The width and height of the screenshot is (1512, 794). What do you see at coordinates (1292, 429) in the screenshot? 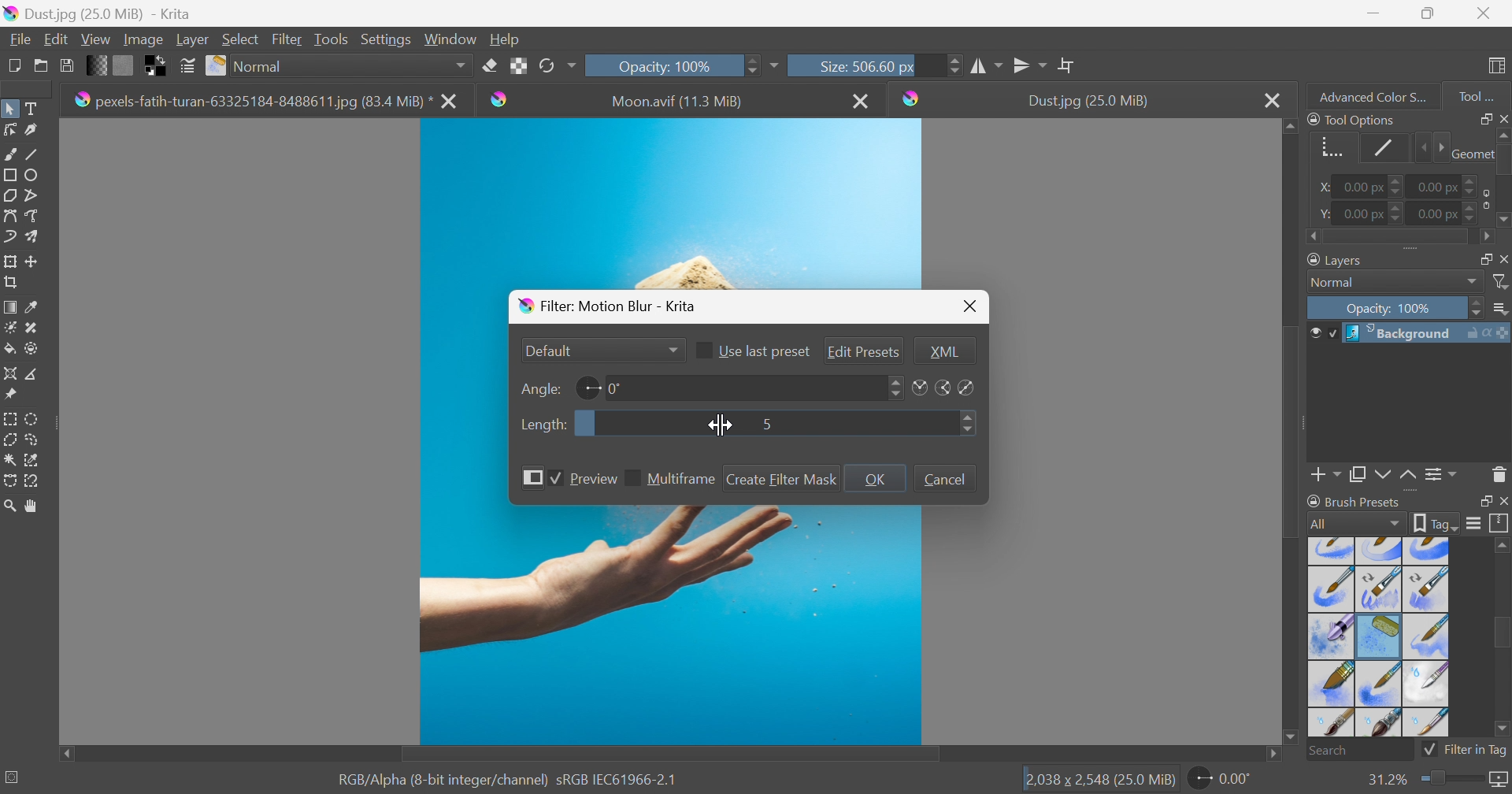
I see `Scroll Bar` at bounding box center [1292, 429].